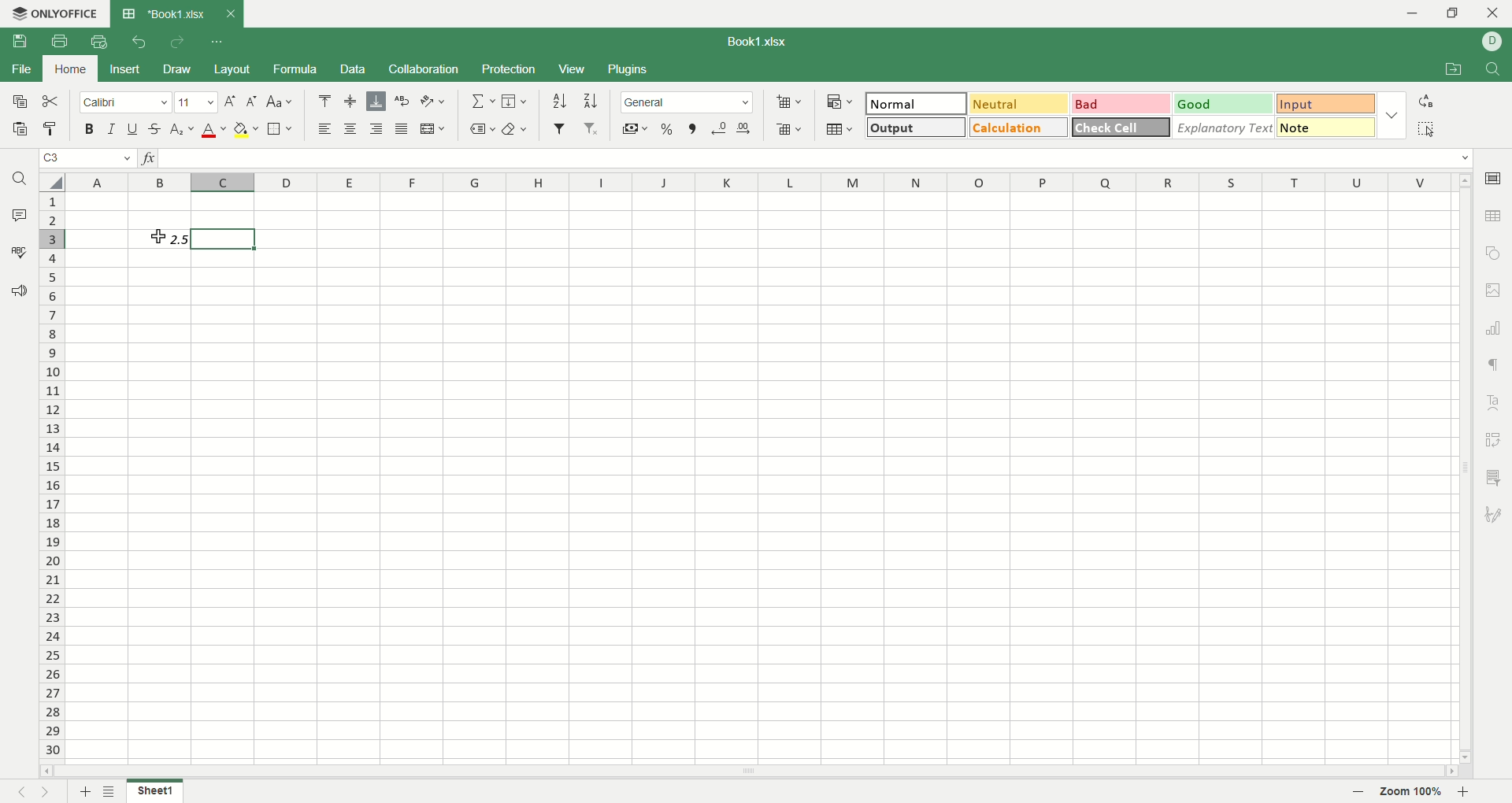  Describe the element at coordinates (281, 102) in the screenshot. I see `change case` at that location.